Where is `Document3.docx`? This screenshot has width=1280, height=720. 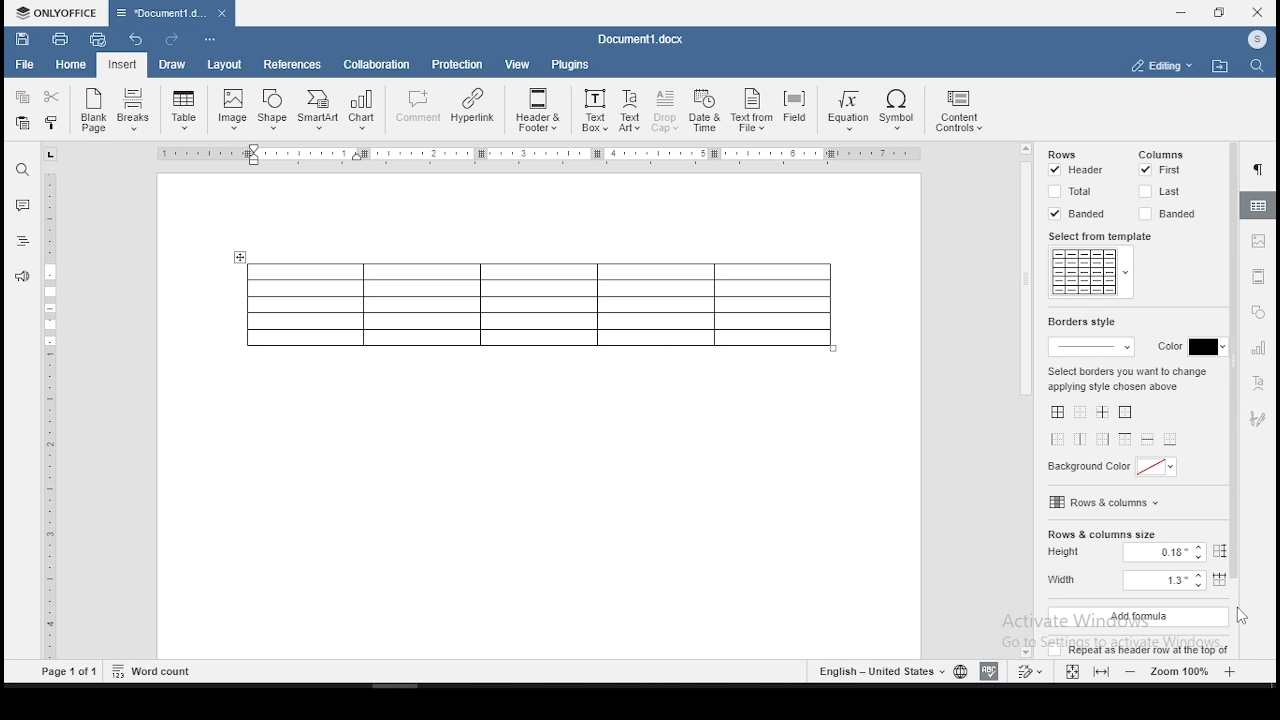
Document3.docx is located at coordinates (171, 13).